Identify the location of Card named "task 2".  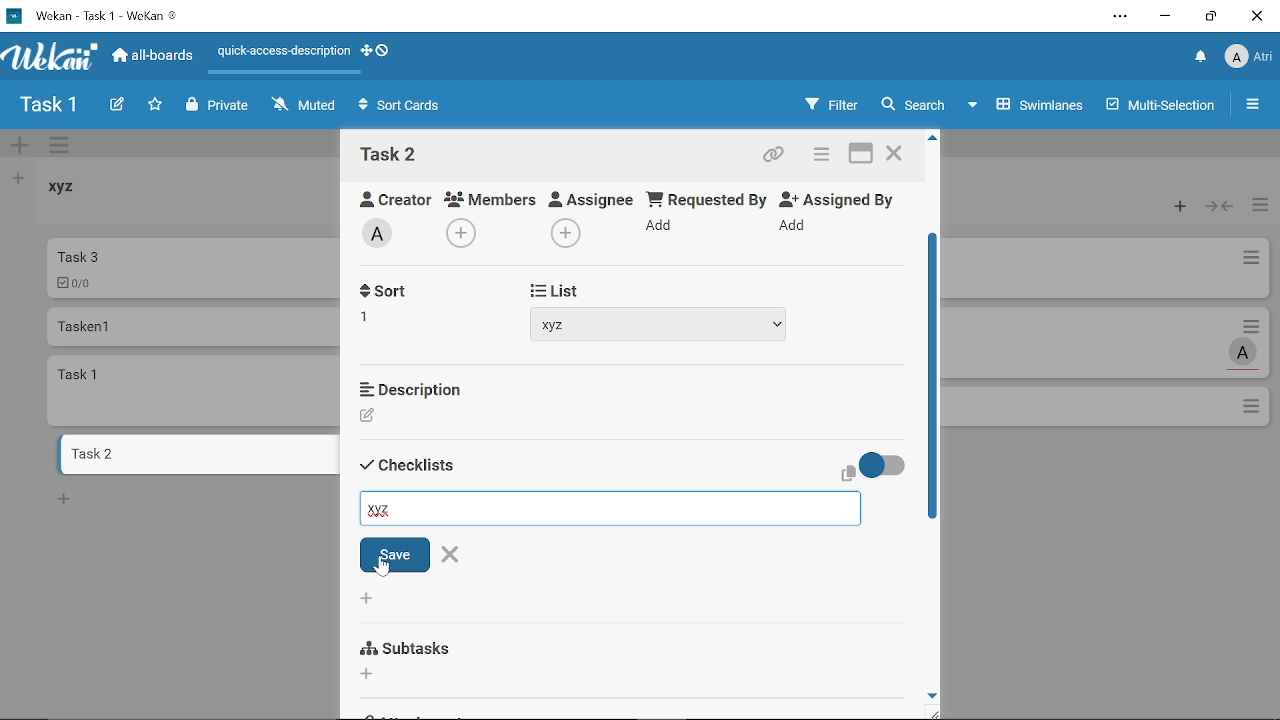
(196, 454).